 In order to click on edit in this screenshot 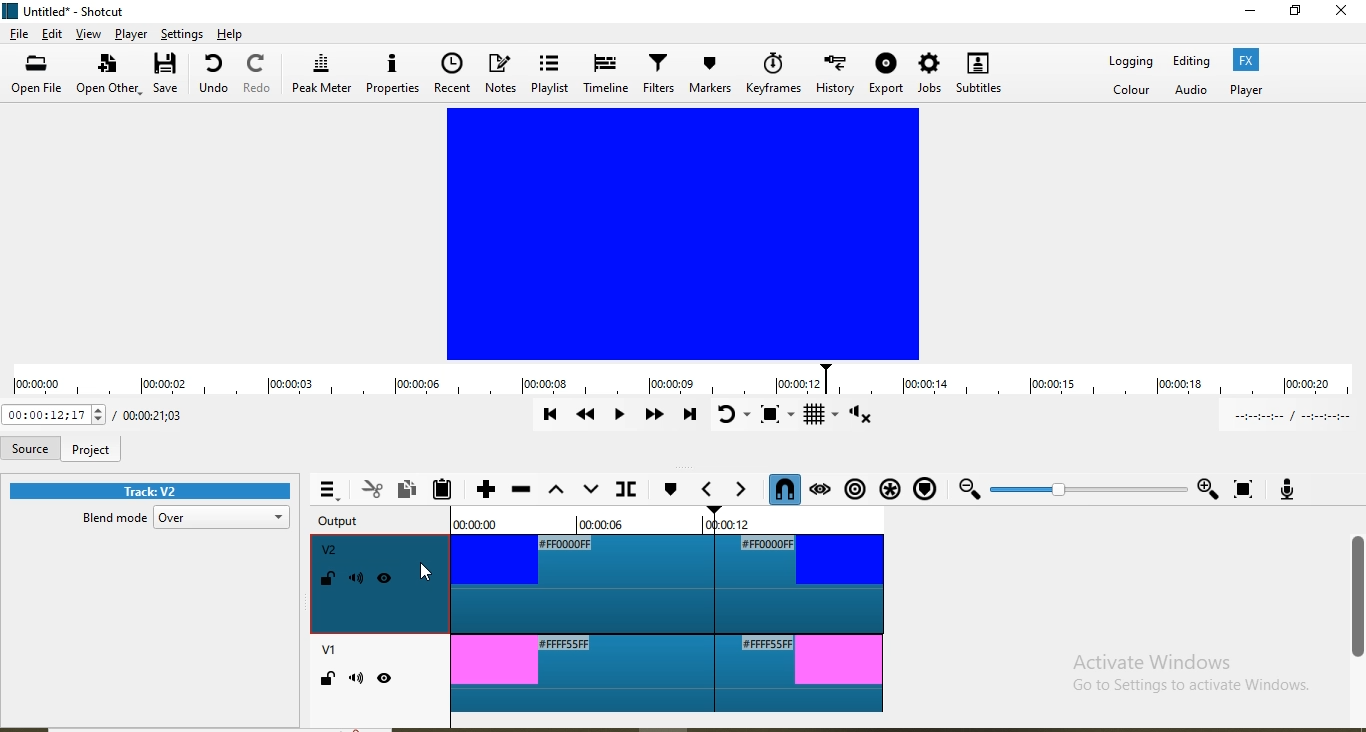, I will do `click(51, 34)`.